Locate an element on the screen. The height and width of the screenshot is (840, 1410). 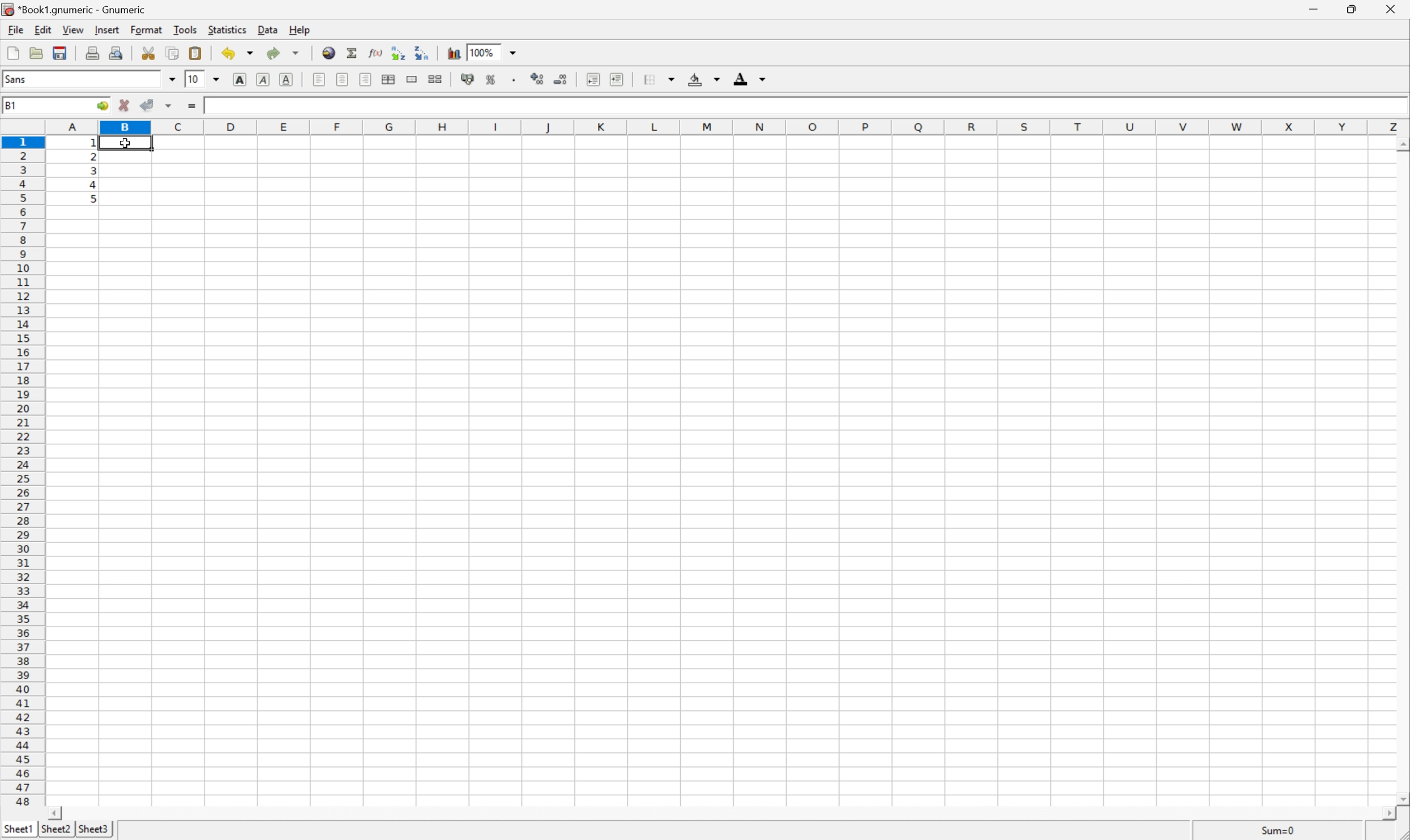
Print current file is located at coordinates (92, 52).